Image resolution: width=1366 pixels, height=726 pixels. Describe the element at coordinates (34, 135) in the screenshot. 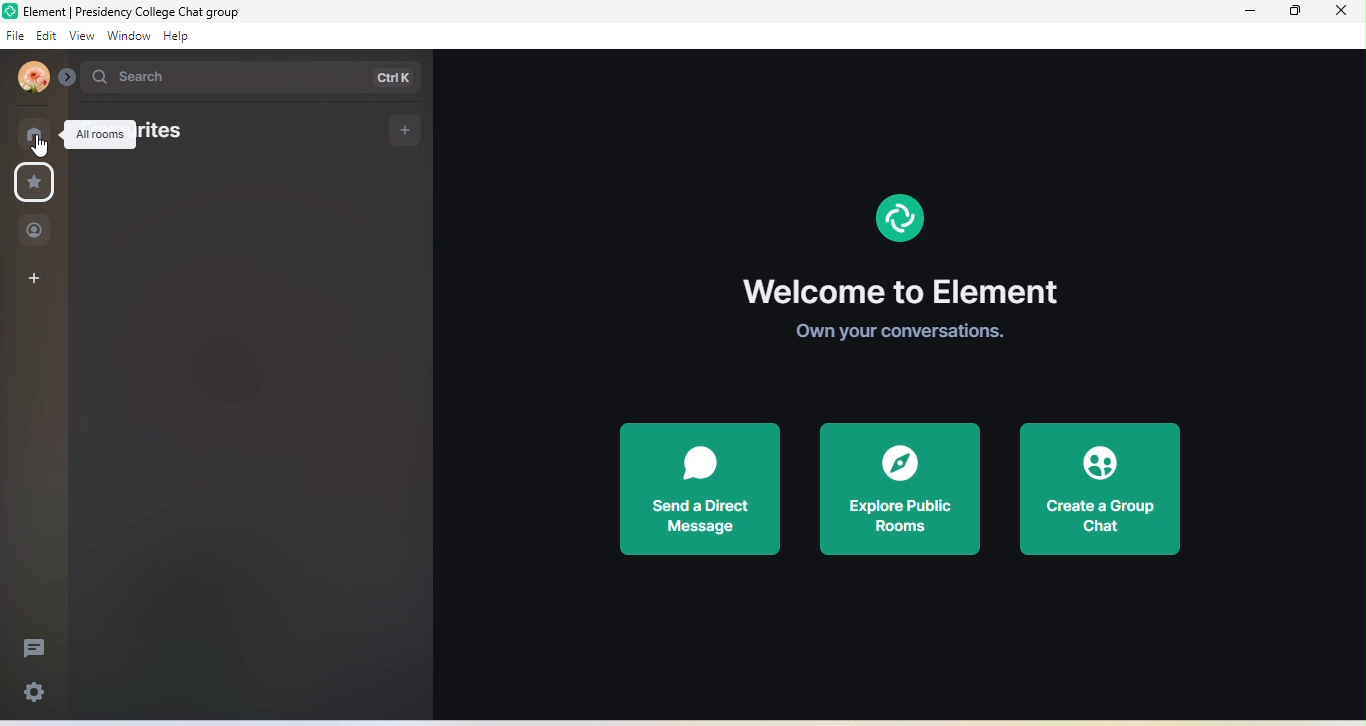

I see `all rooms` at that location.